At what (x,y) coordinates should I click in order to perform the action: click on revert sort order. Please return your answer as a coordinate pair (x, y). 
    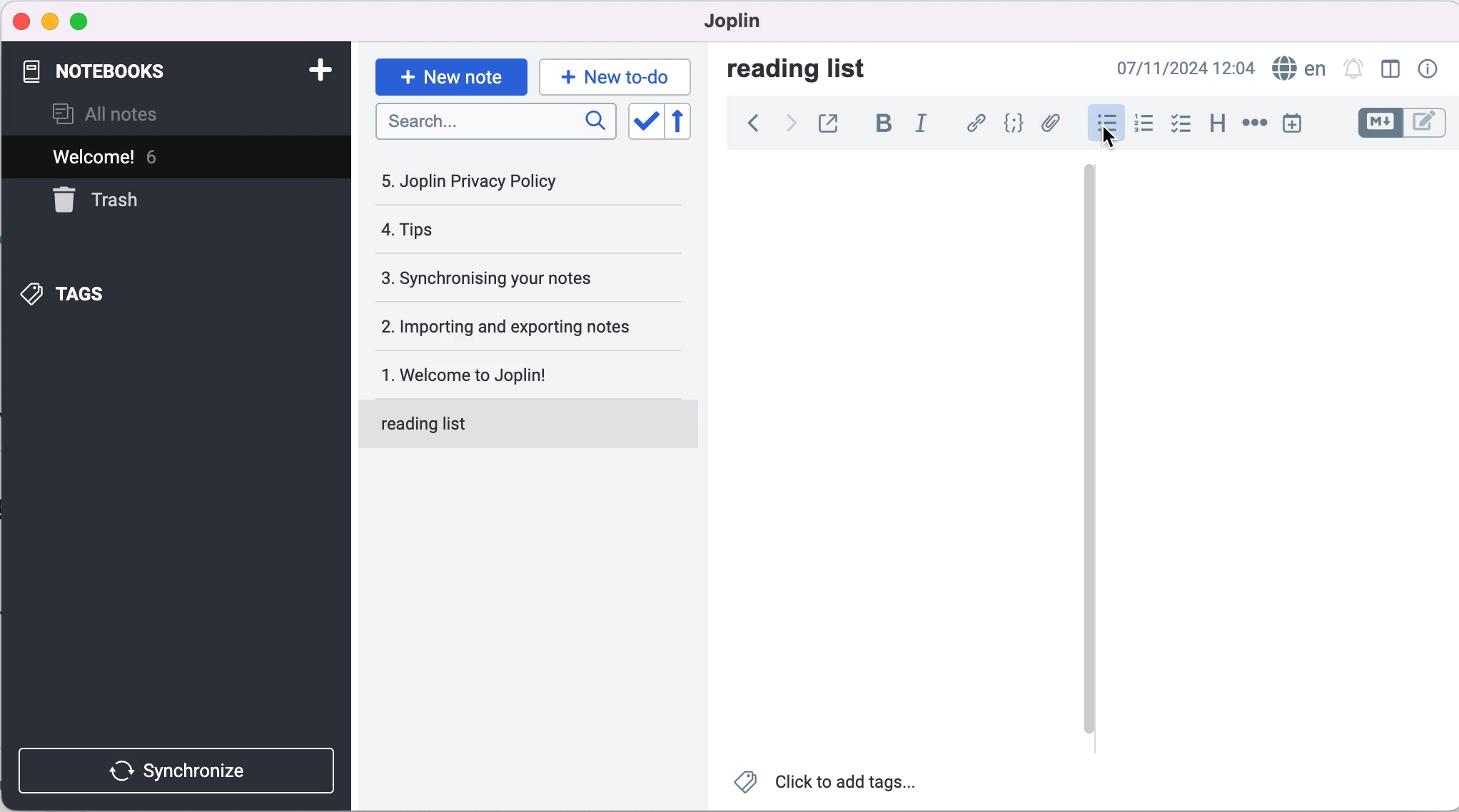
    Looking at the image, I should click on (685, 123).